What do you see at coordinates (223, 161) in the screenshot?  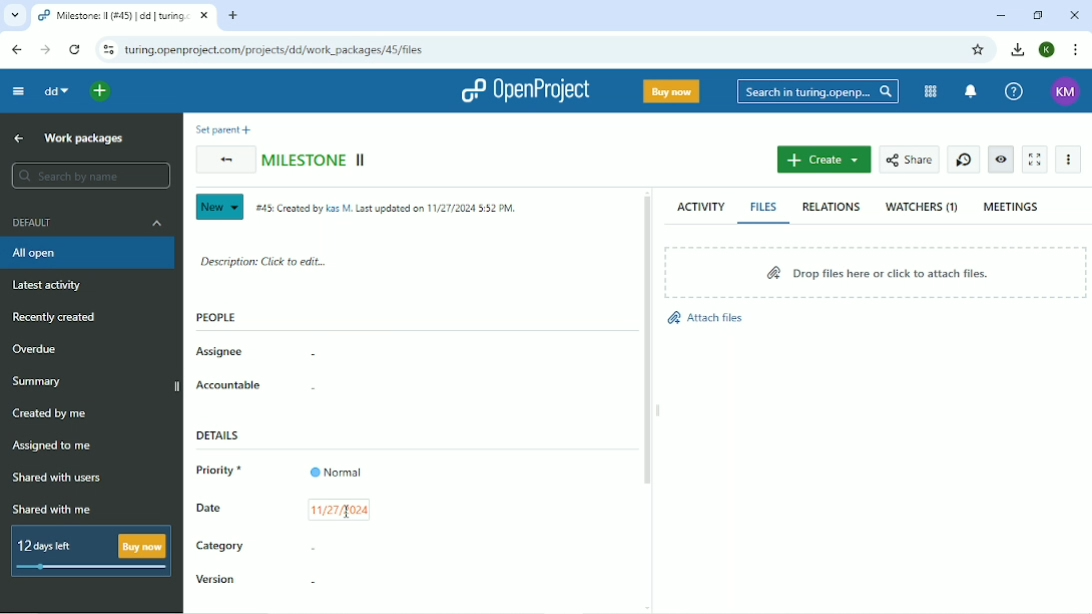 I see `Back` at bounding box center [223, 161].